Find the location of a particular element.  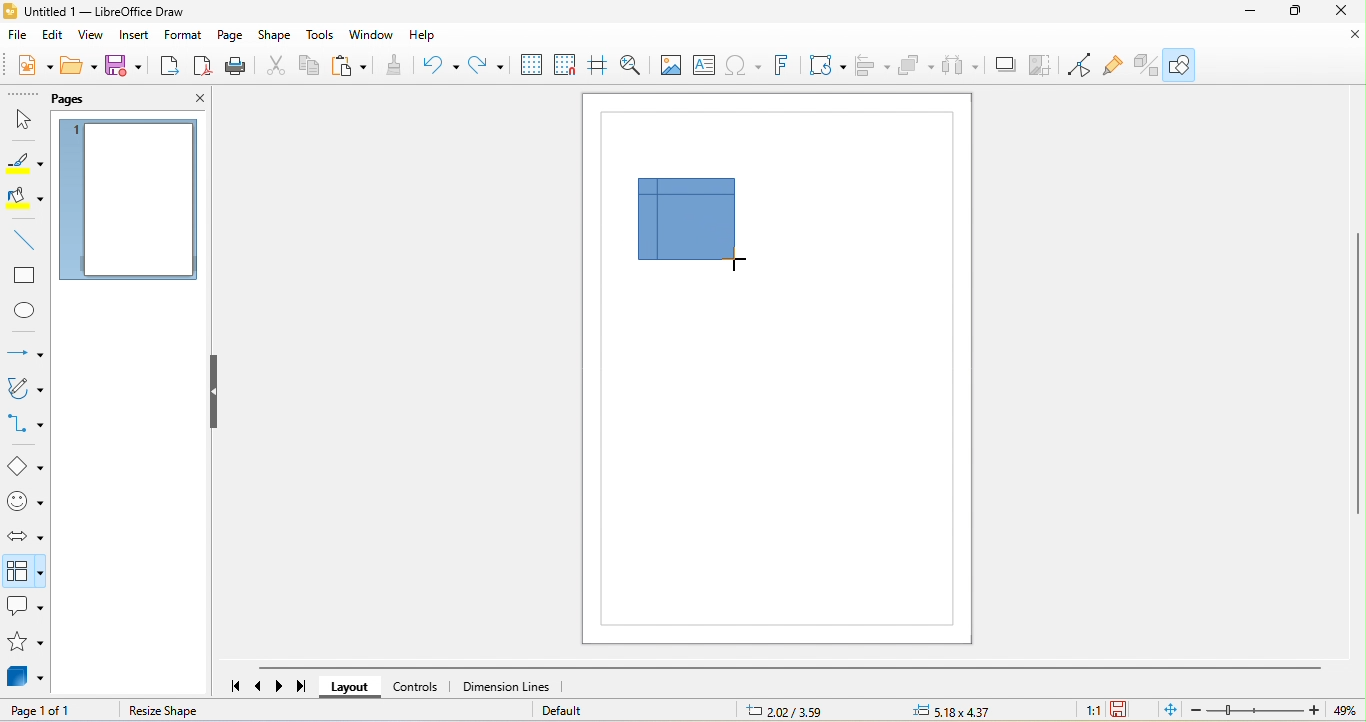

fill color is located at coordinates (23, 198).